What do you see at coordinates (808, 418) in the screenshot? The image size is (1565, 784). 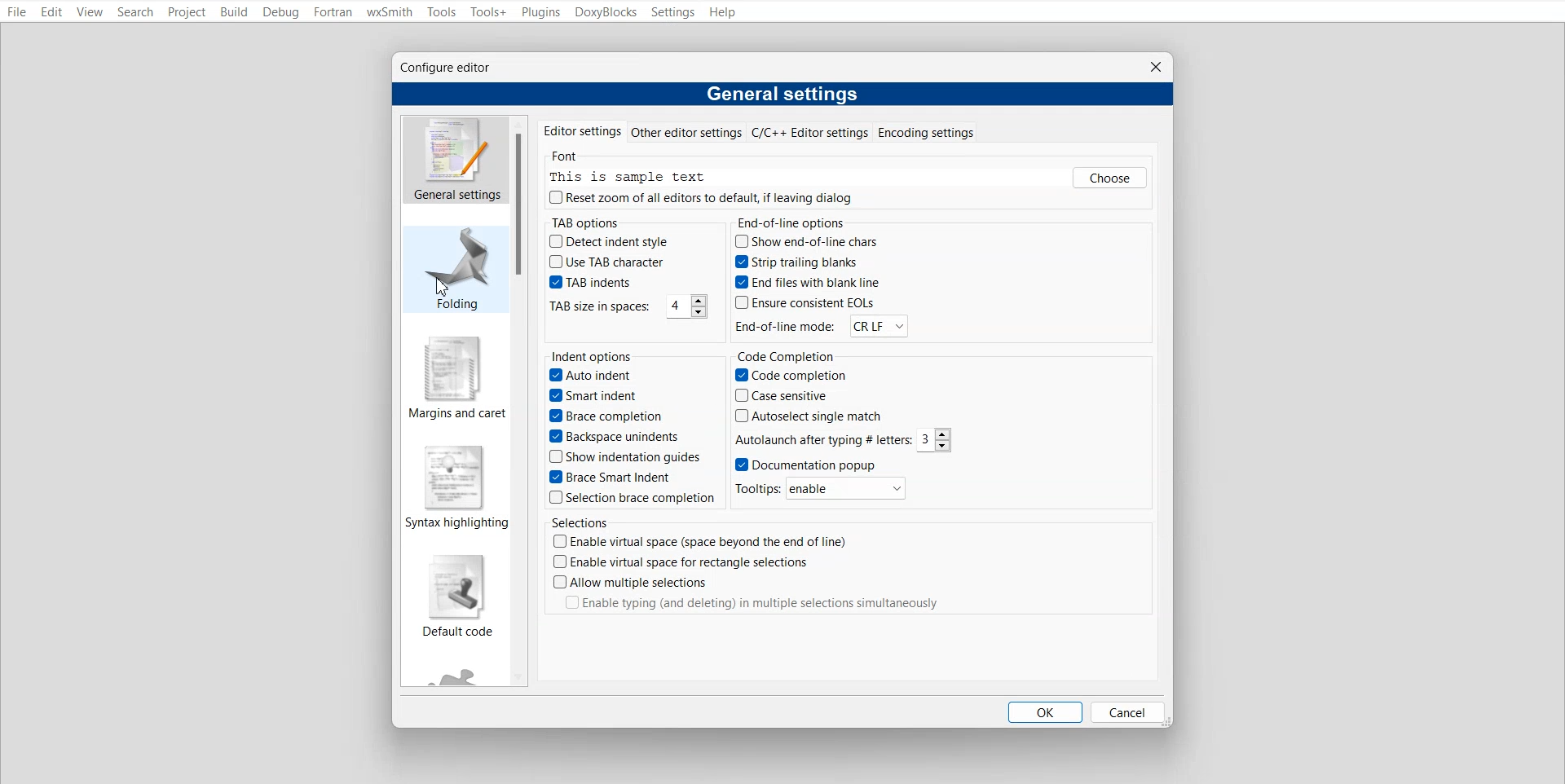 I see `Autoselect single match` at bounding box center [808, 418].